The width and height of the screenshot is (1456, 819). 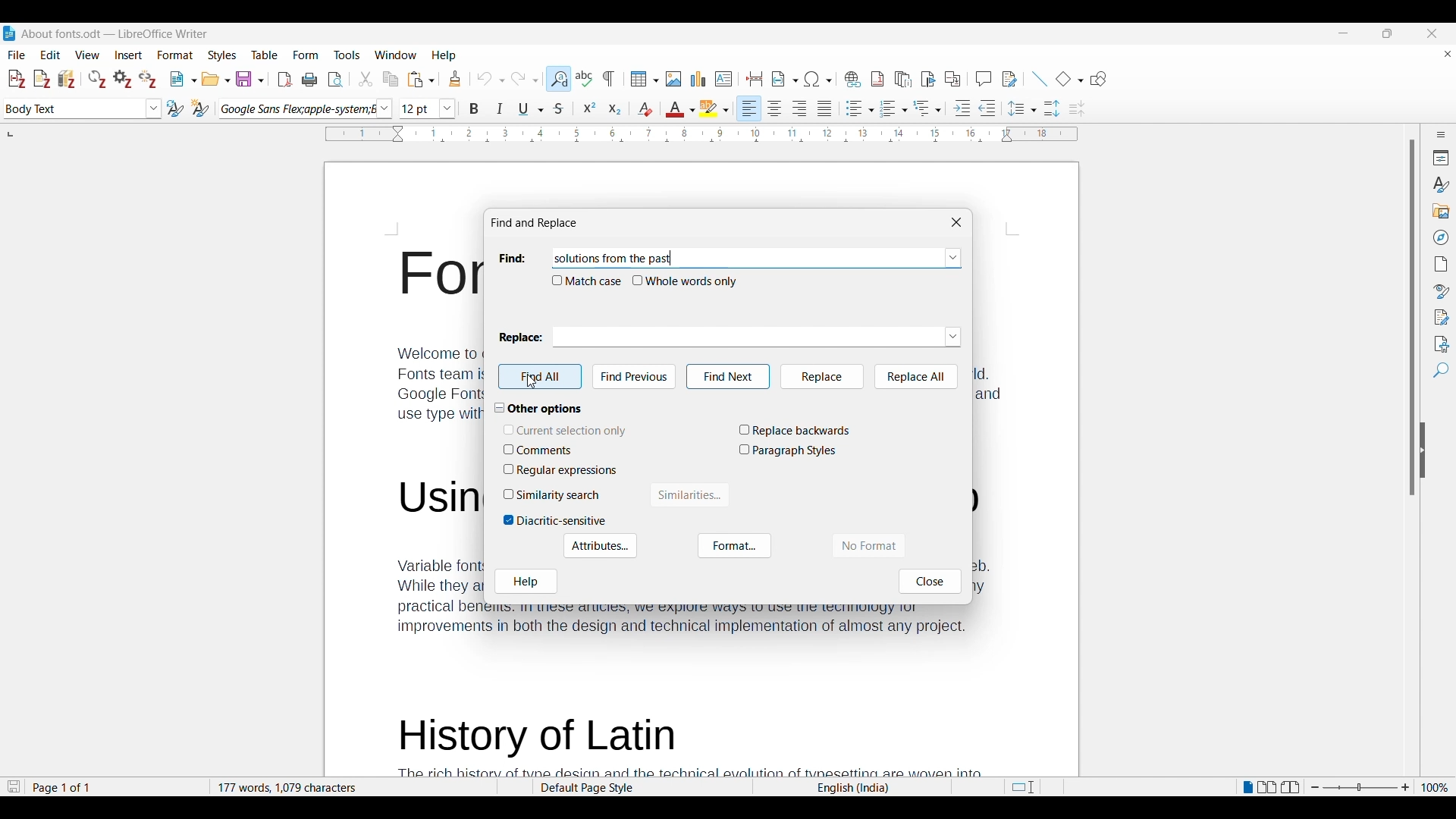 I want to click on Replace all, so click(x=916, y=378).